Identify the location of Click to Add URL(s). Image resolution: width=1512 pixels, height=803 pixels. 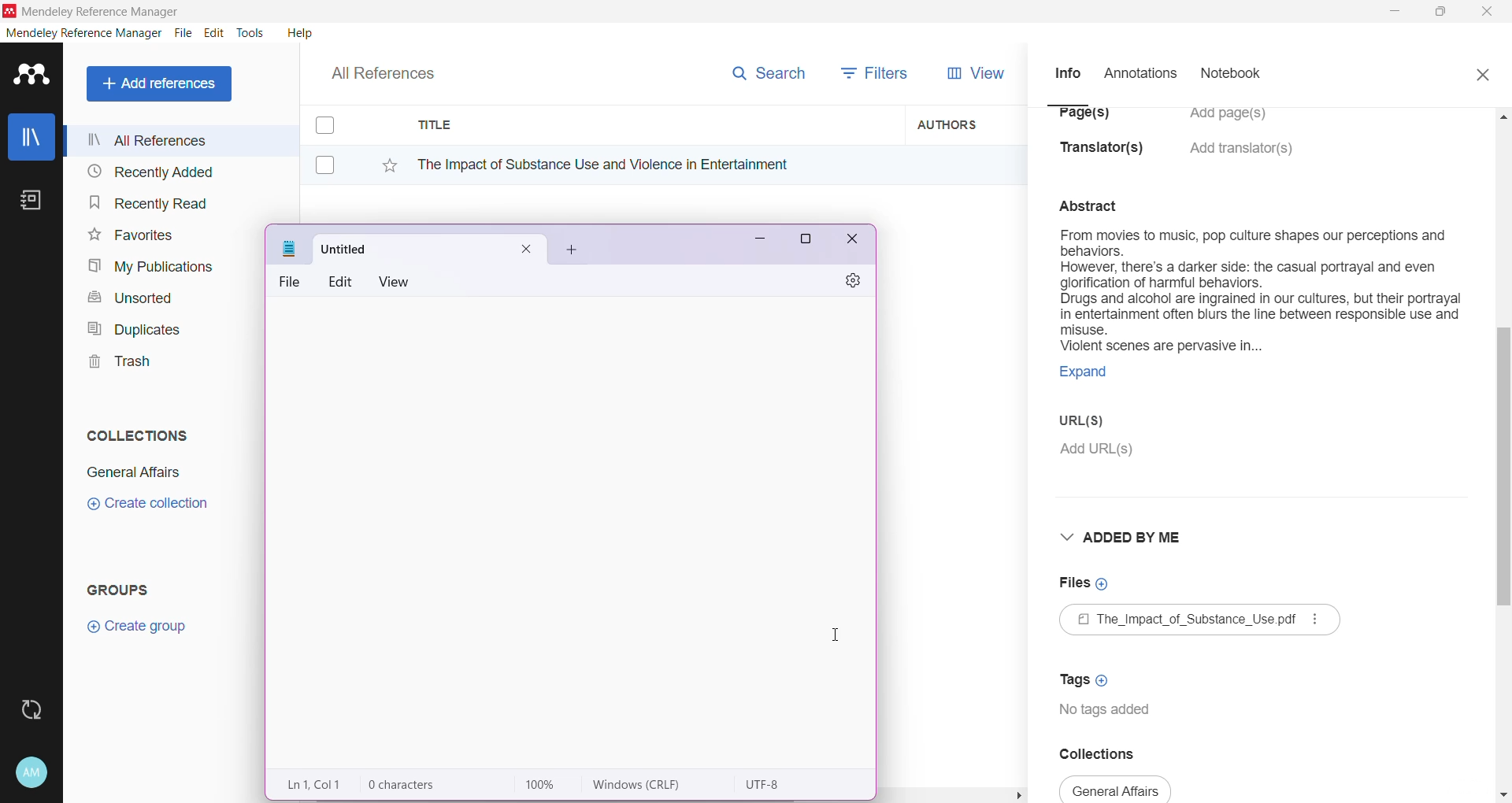
(1099, 451).